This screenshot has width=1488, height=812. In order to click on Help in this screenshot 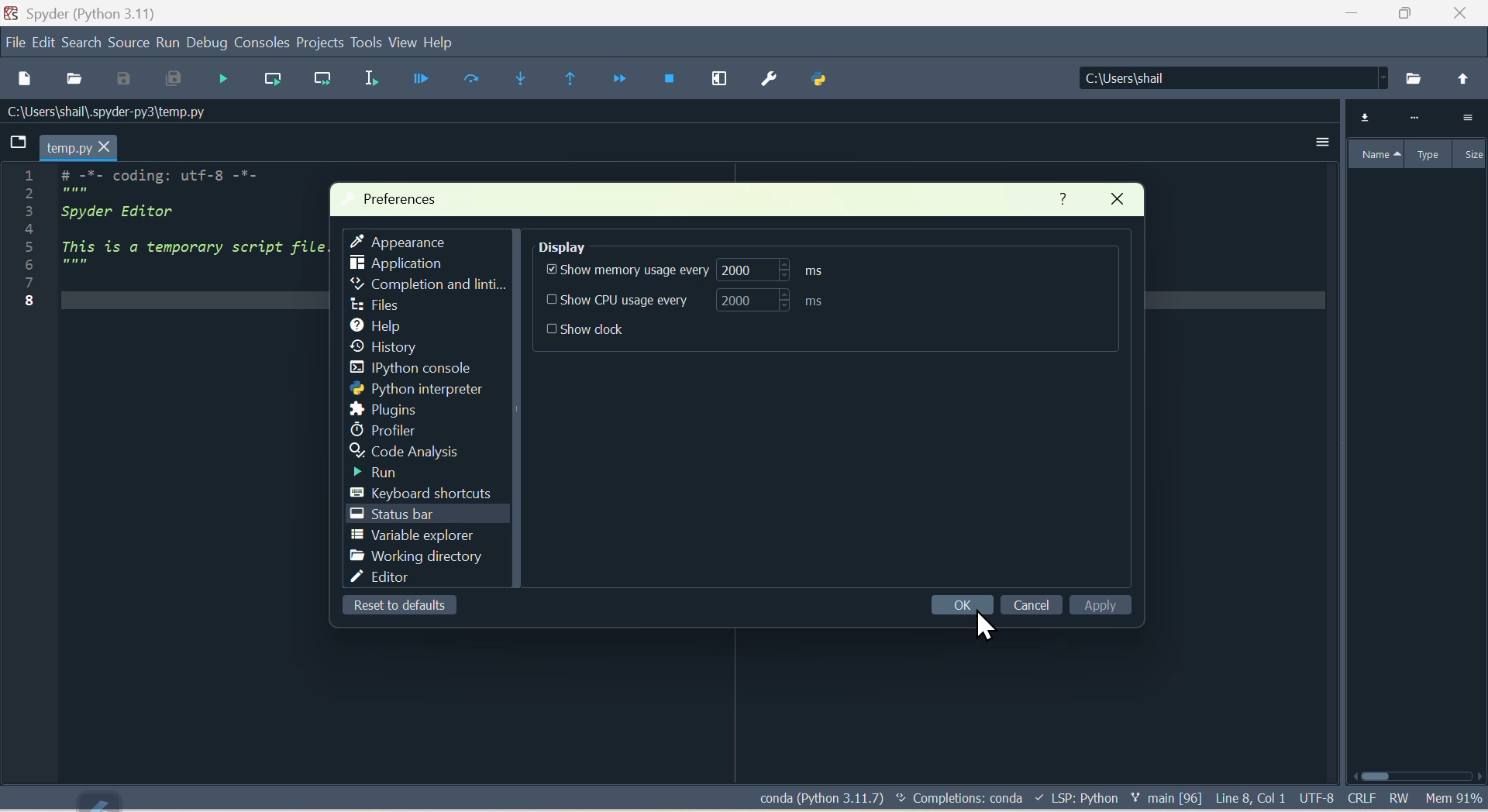, I will do `click(1062, 202)`.